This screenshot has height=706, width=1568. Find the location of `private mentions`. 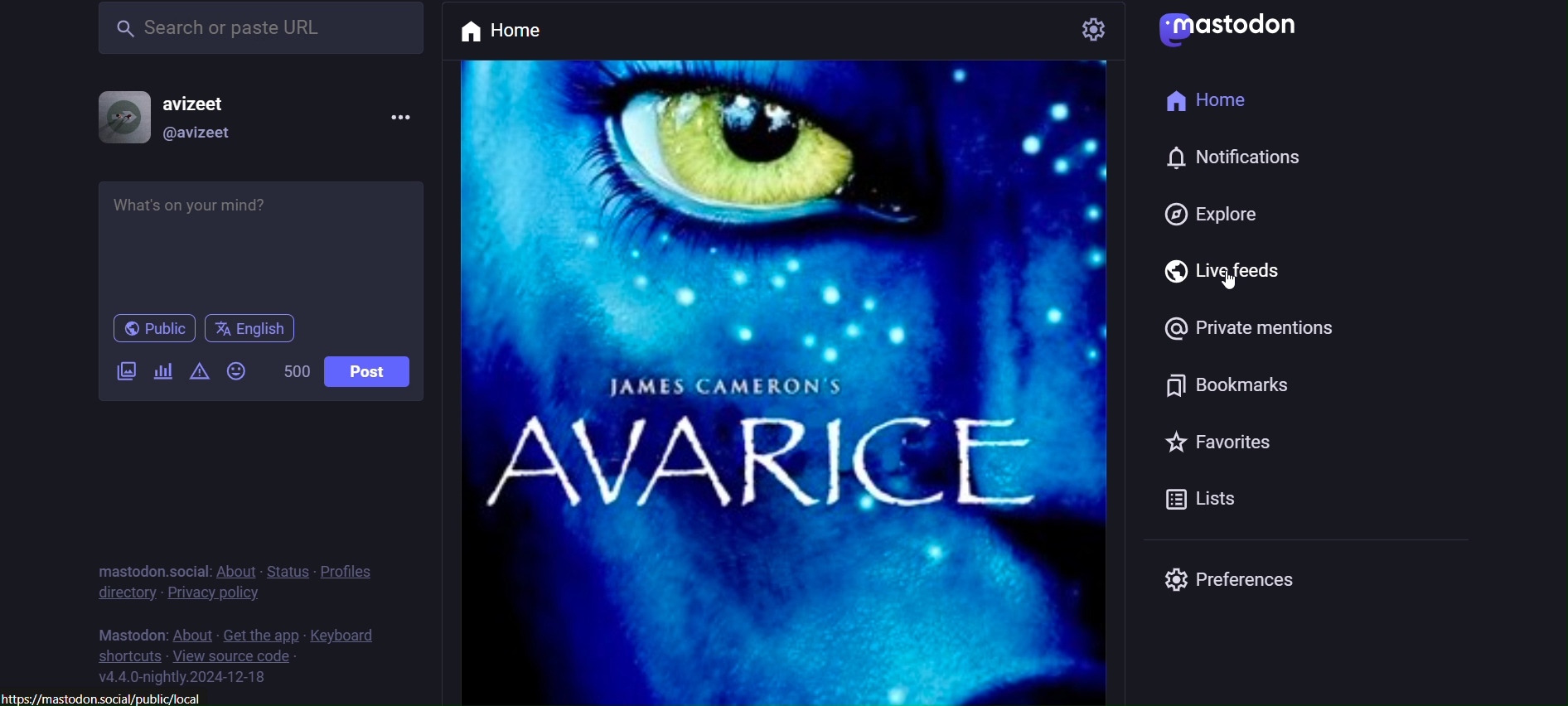

private mentions is located at coordinates (1260, 332).